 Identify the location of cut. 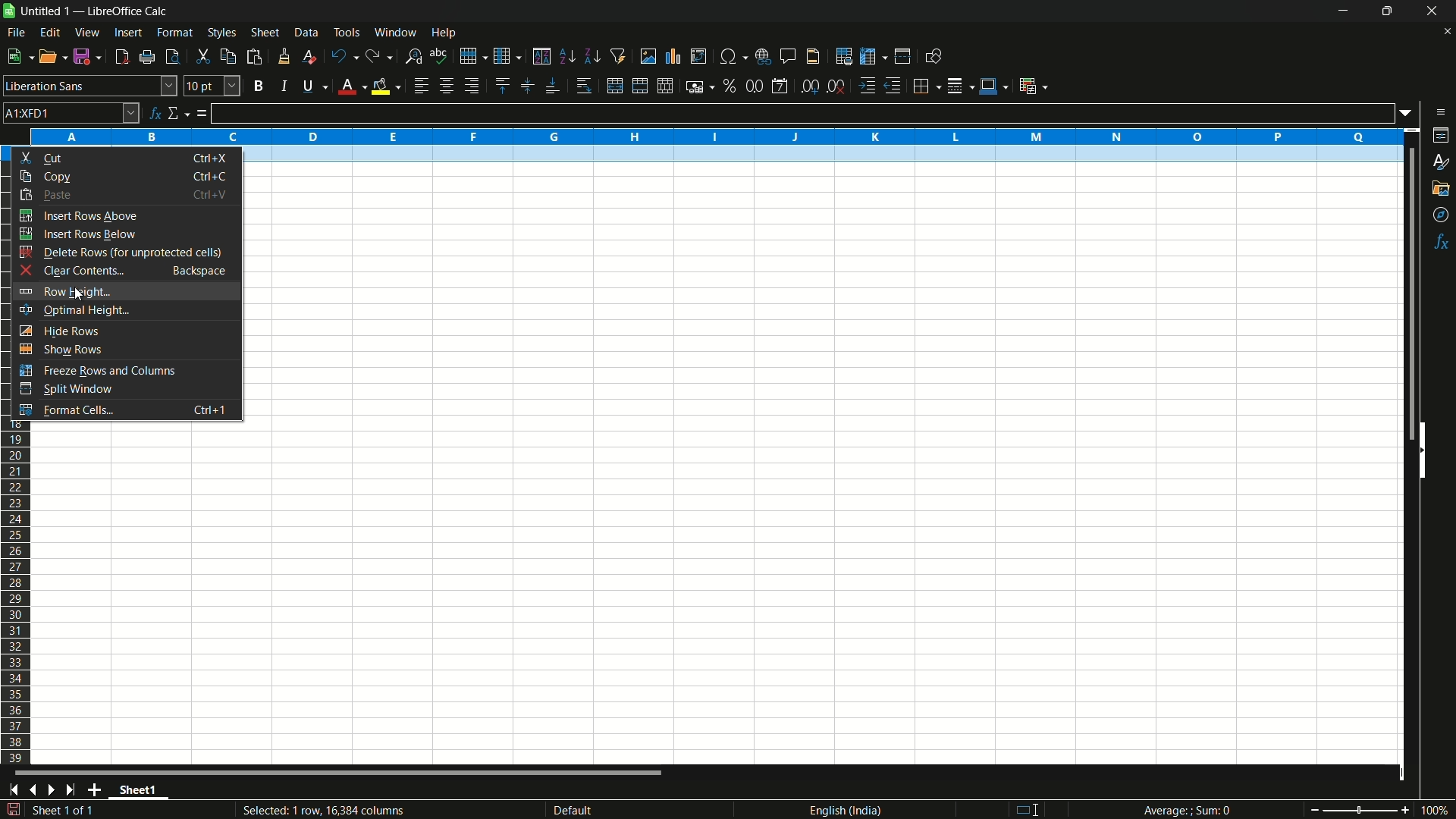
(128, 157).